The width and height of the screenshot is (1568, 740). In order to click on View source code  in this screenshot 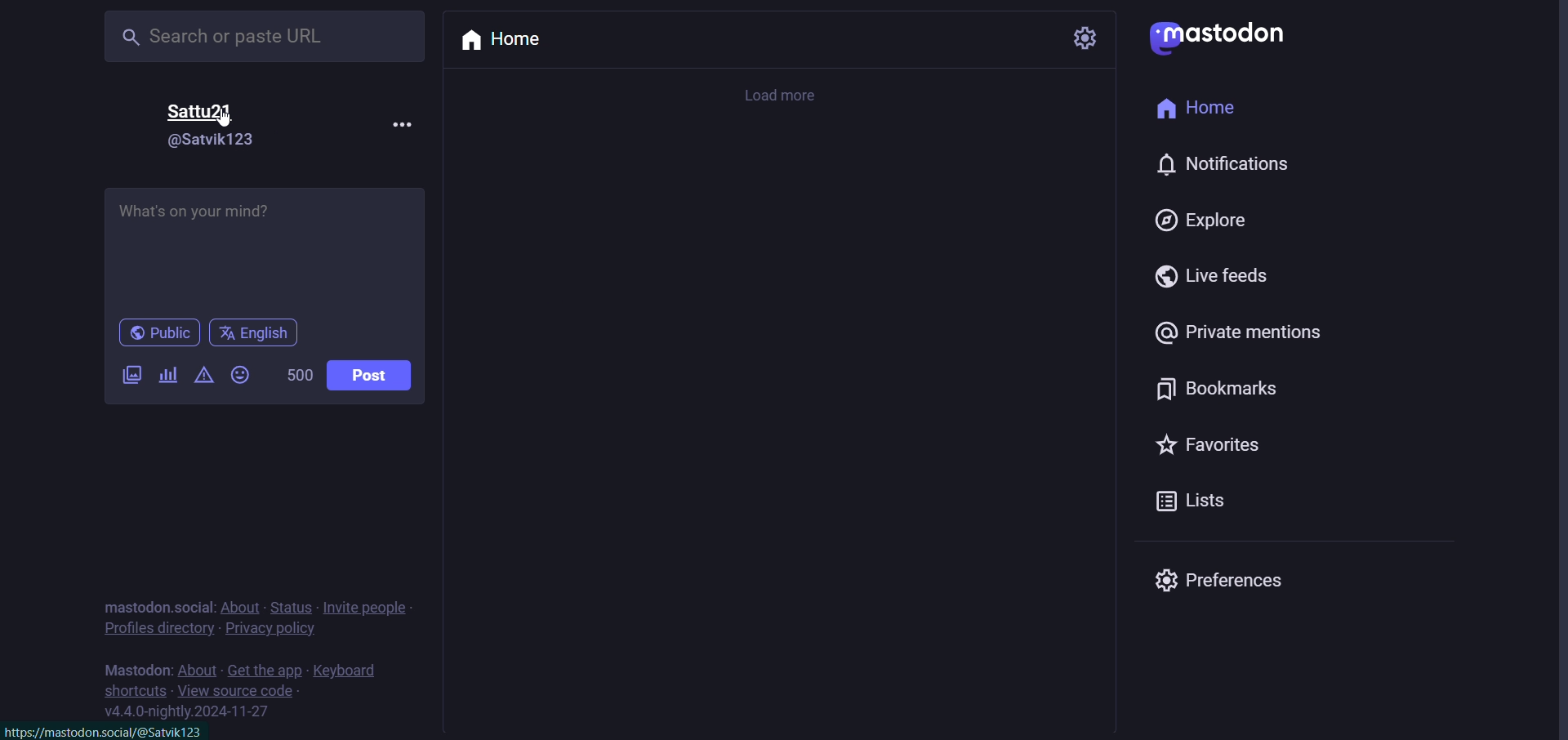, I will do `click(242, 690)`.